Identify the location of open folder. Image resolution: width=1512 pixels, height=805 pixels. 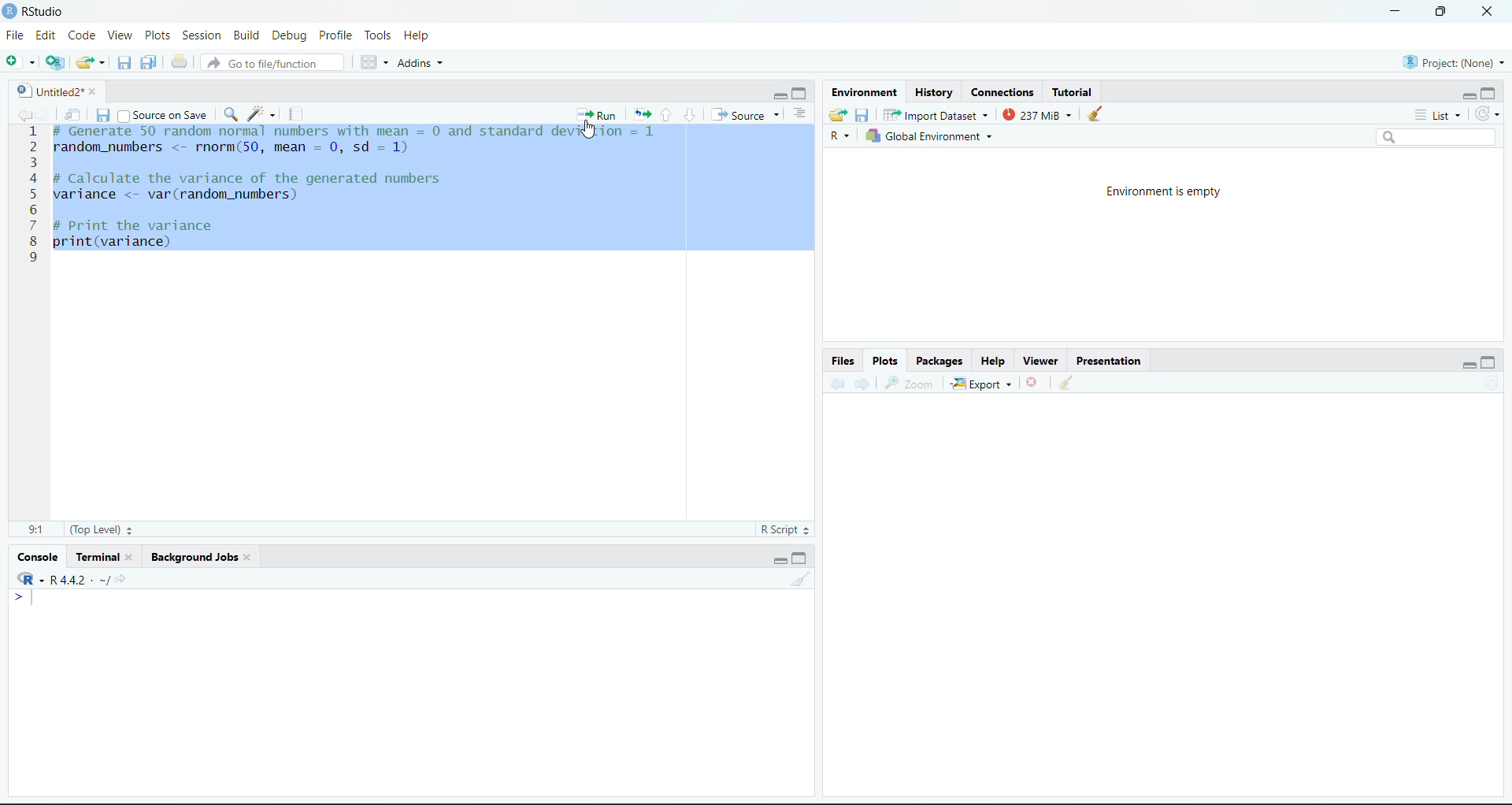
(839, 115).